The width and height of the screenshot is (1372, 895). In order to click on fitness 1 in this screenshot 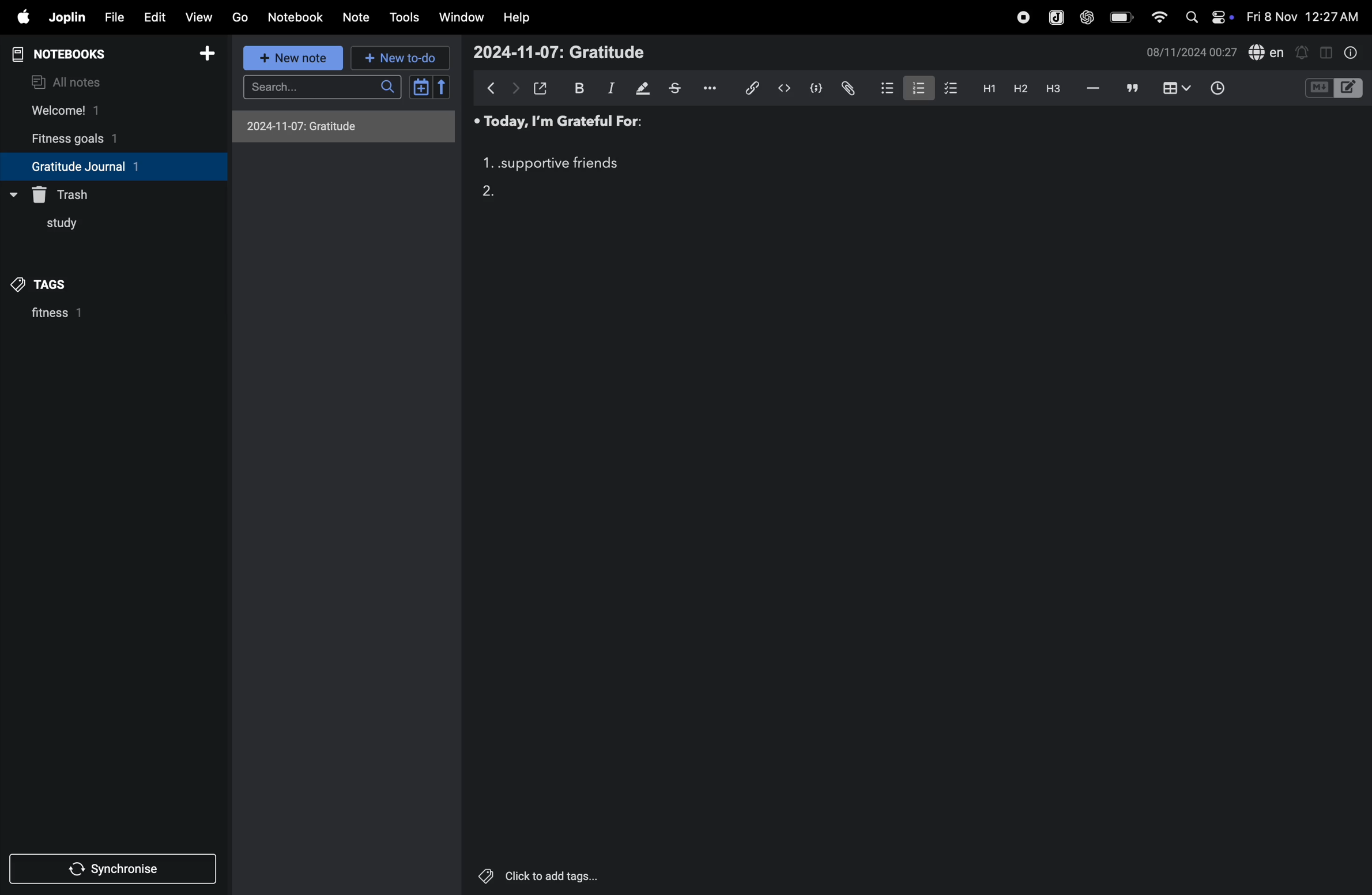, I will do `click(85, 317)`.